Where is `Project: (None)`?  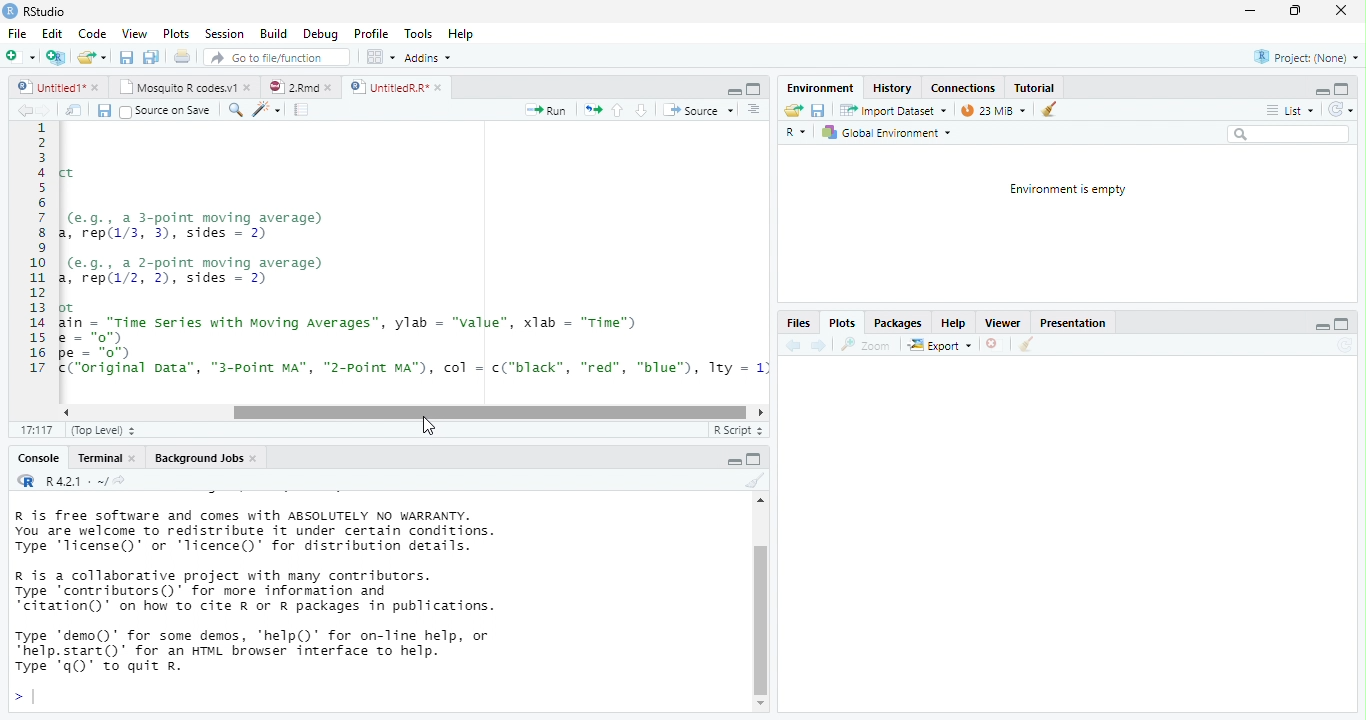
Project: (None) is located at coordinates (1307, 58).